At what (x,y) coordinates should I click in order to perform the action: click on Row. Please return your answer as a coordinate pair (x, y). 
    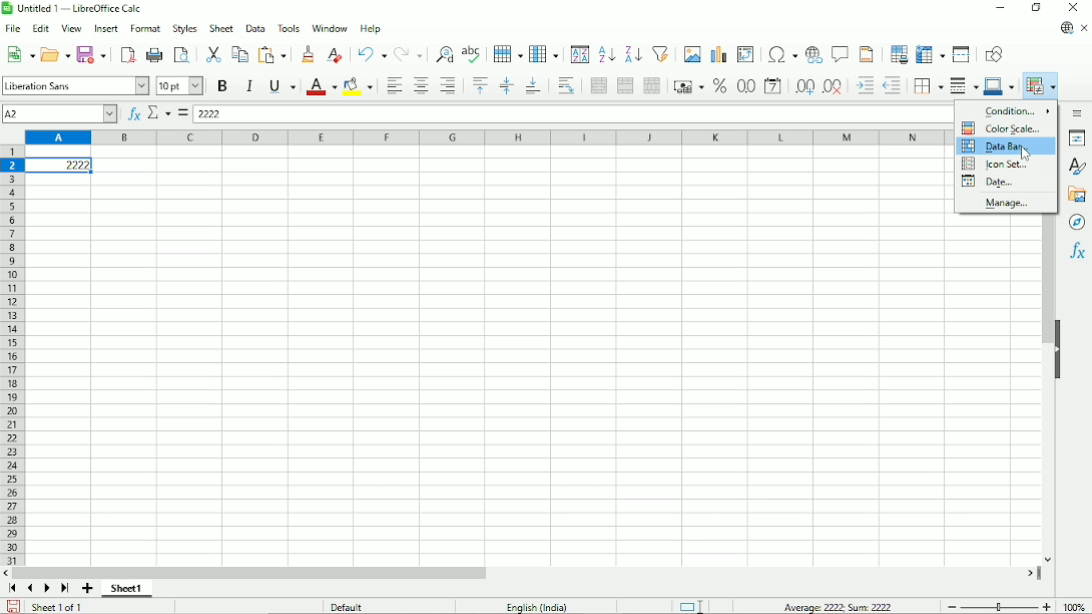
    Looking at the image, I should click on (508, 54).